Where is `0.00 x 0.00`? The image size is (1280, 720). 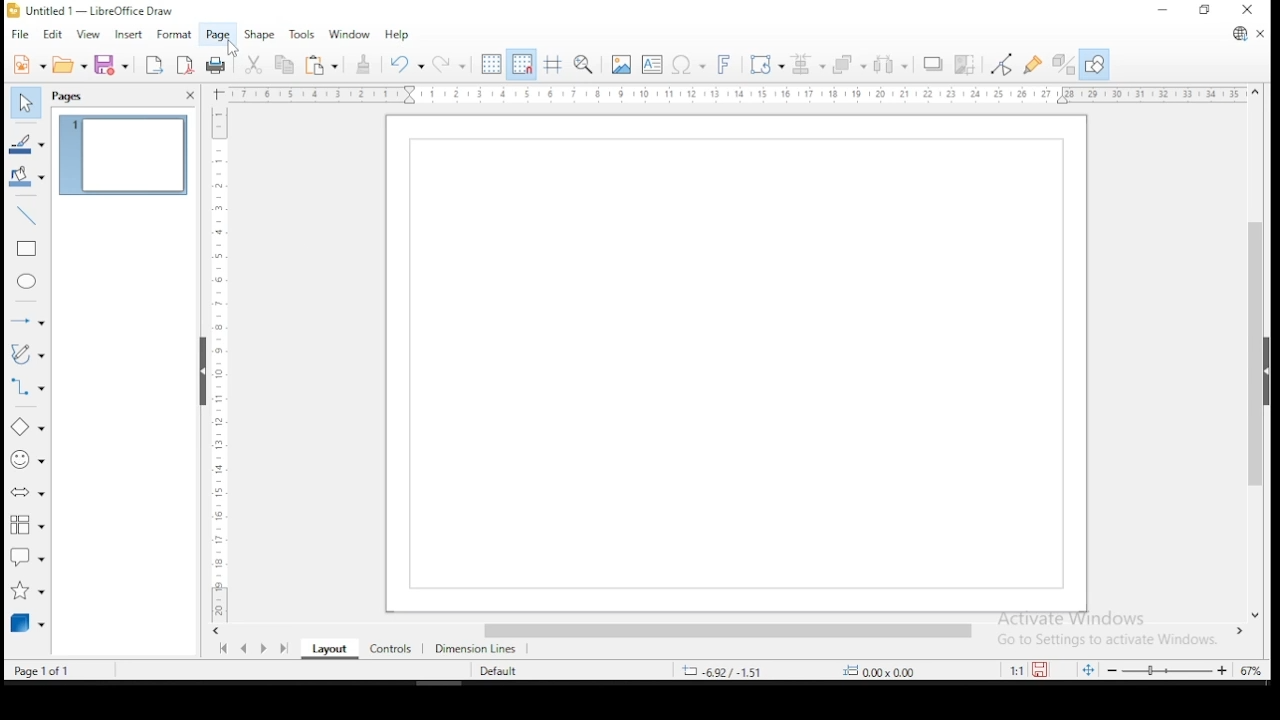
0.00 x 0.00 is located at coordinates (901, 671).